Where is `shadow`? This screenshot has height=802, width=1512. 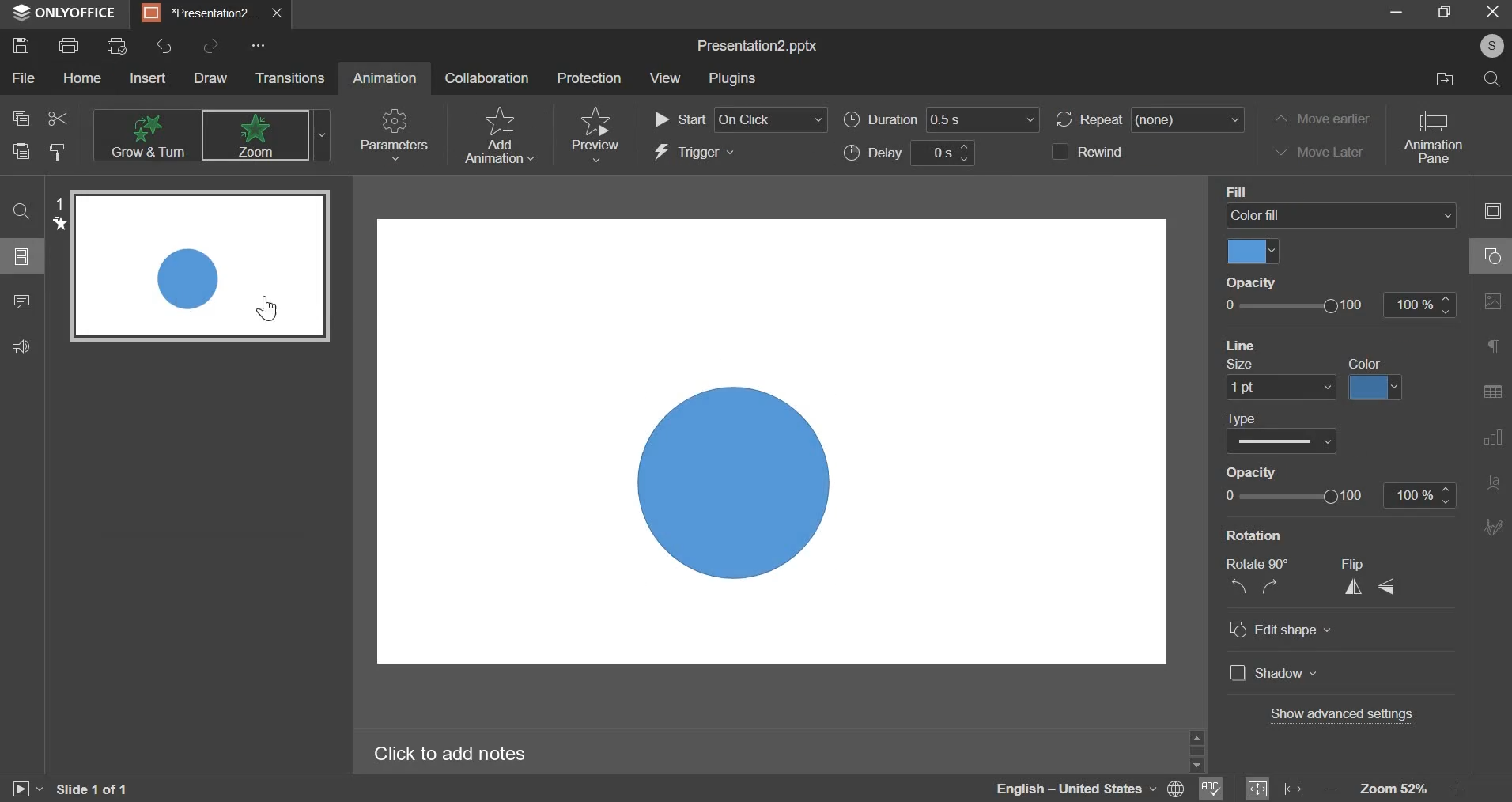 shadow is located at coordinates (1276, 675).